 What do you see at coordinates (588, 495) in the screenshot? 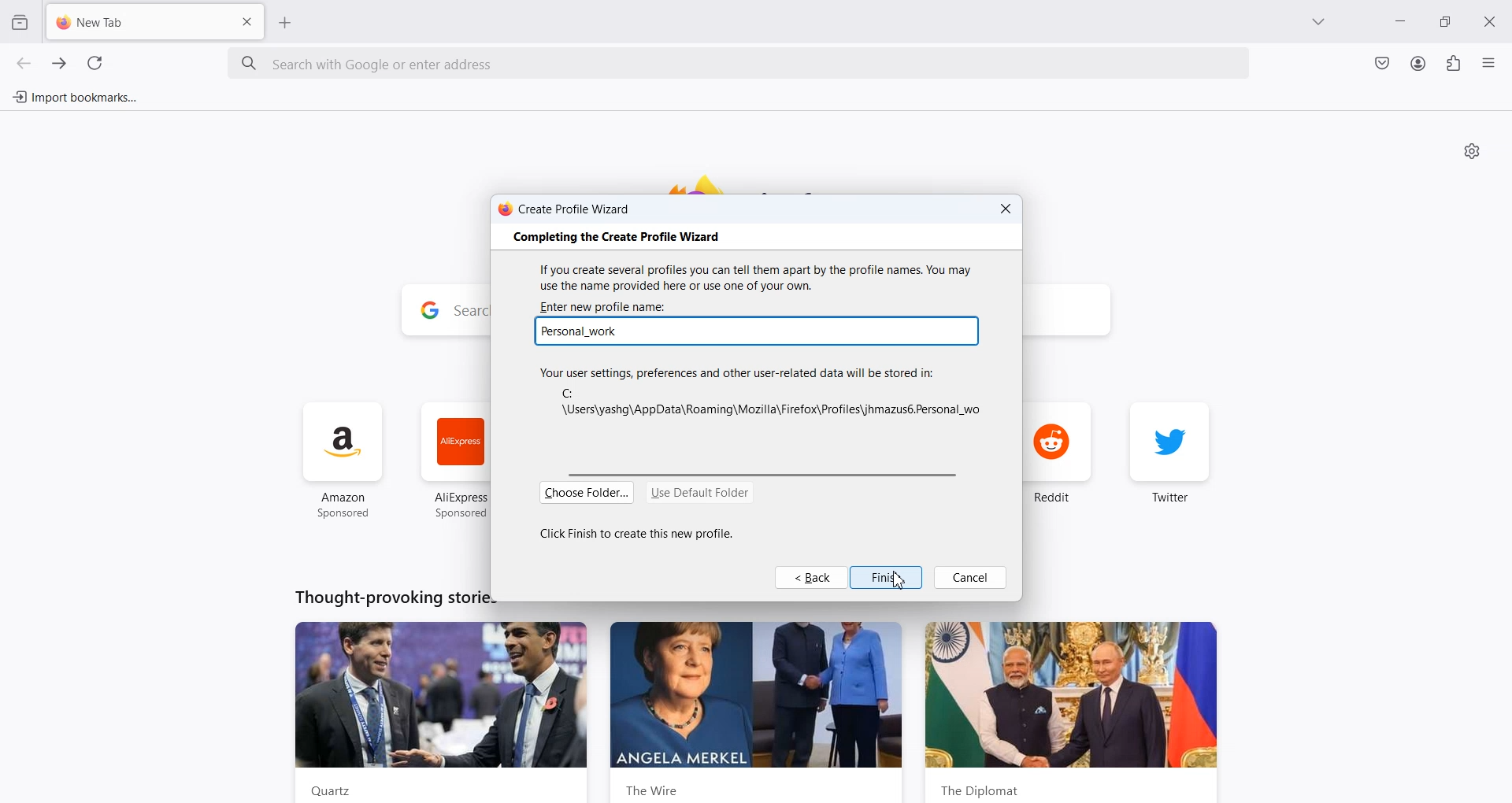
I see `Choose Folder` at bounding box center [588, 495].